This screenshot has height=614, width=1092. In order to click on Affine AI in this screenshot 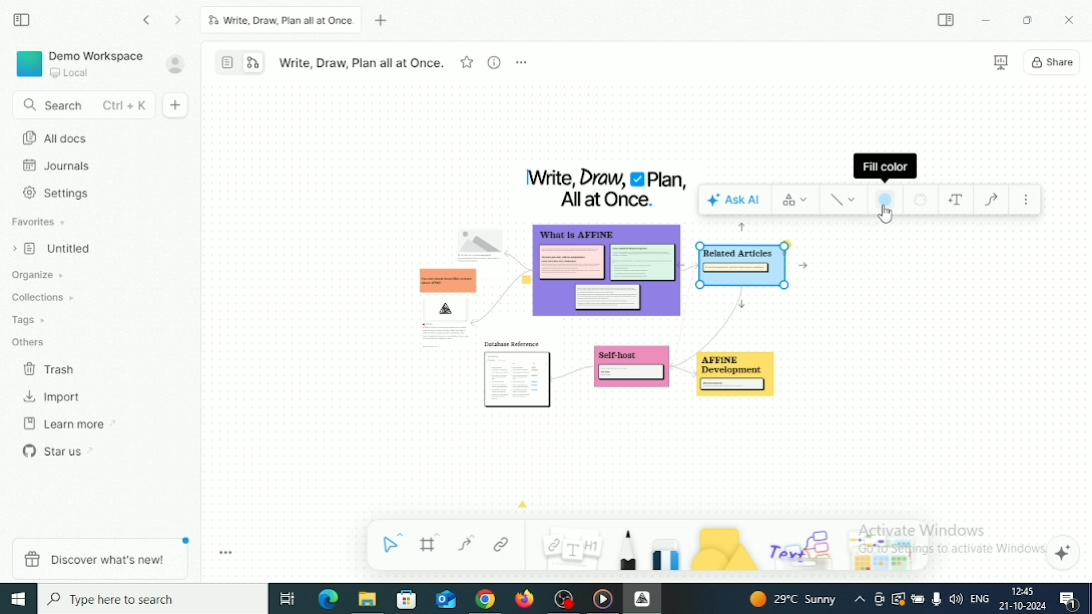, I will do `click(1064, 553)`.